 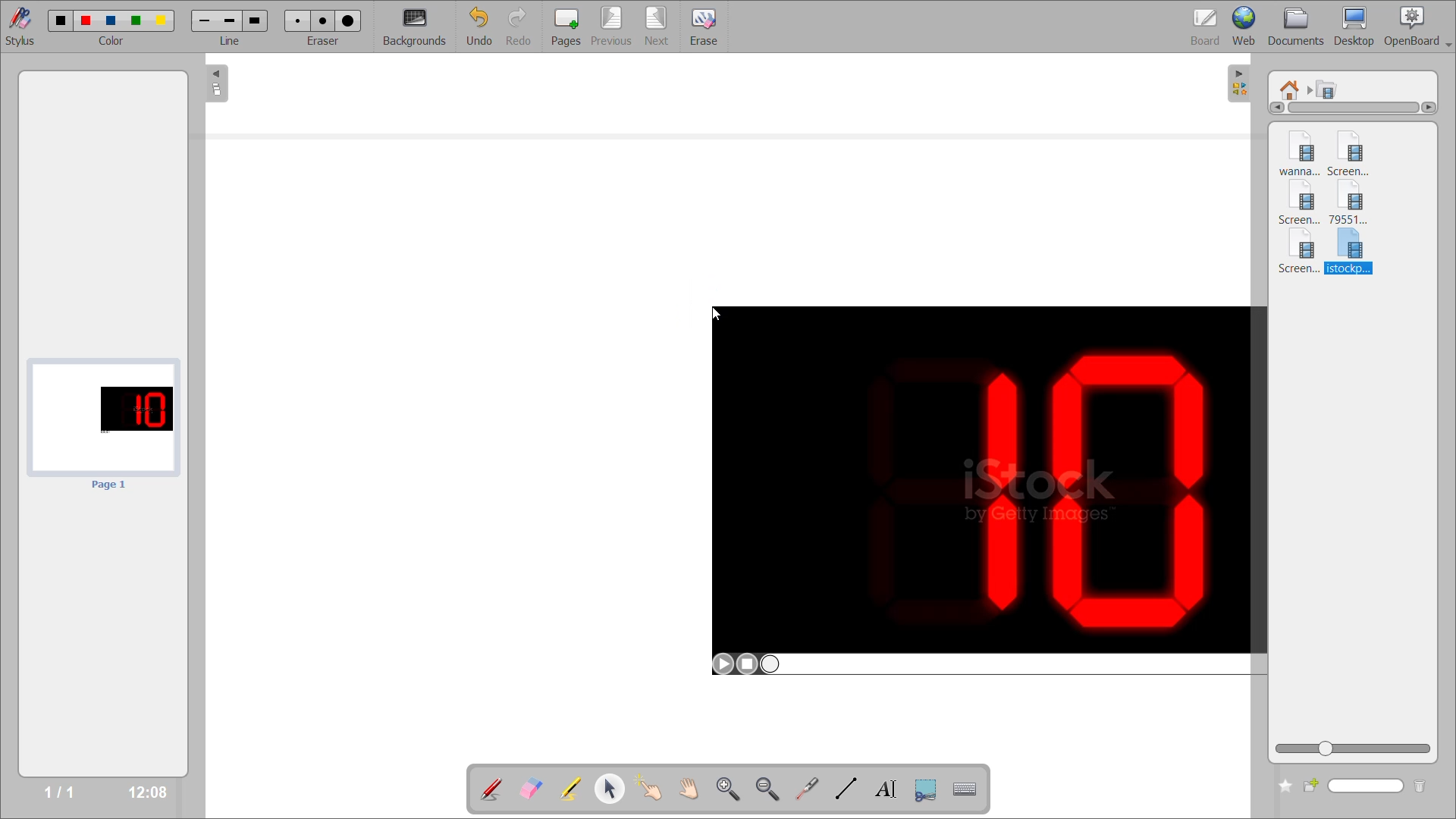 What do you see at coordinates (654, 791) in the screenshot?
I see `interact with items` at bounding box center [654, 791].